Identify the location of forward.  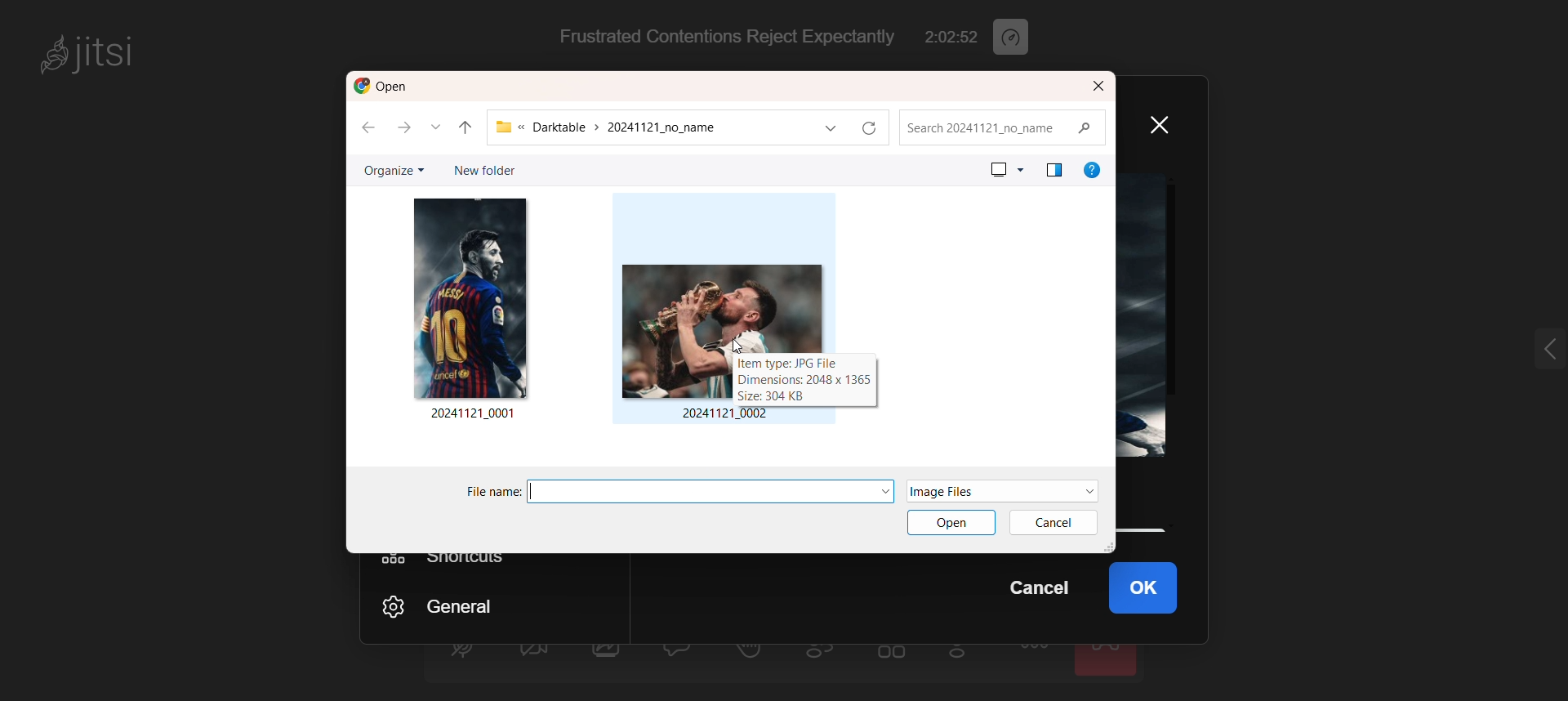
(408, 128).